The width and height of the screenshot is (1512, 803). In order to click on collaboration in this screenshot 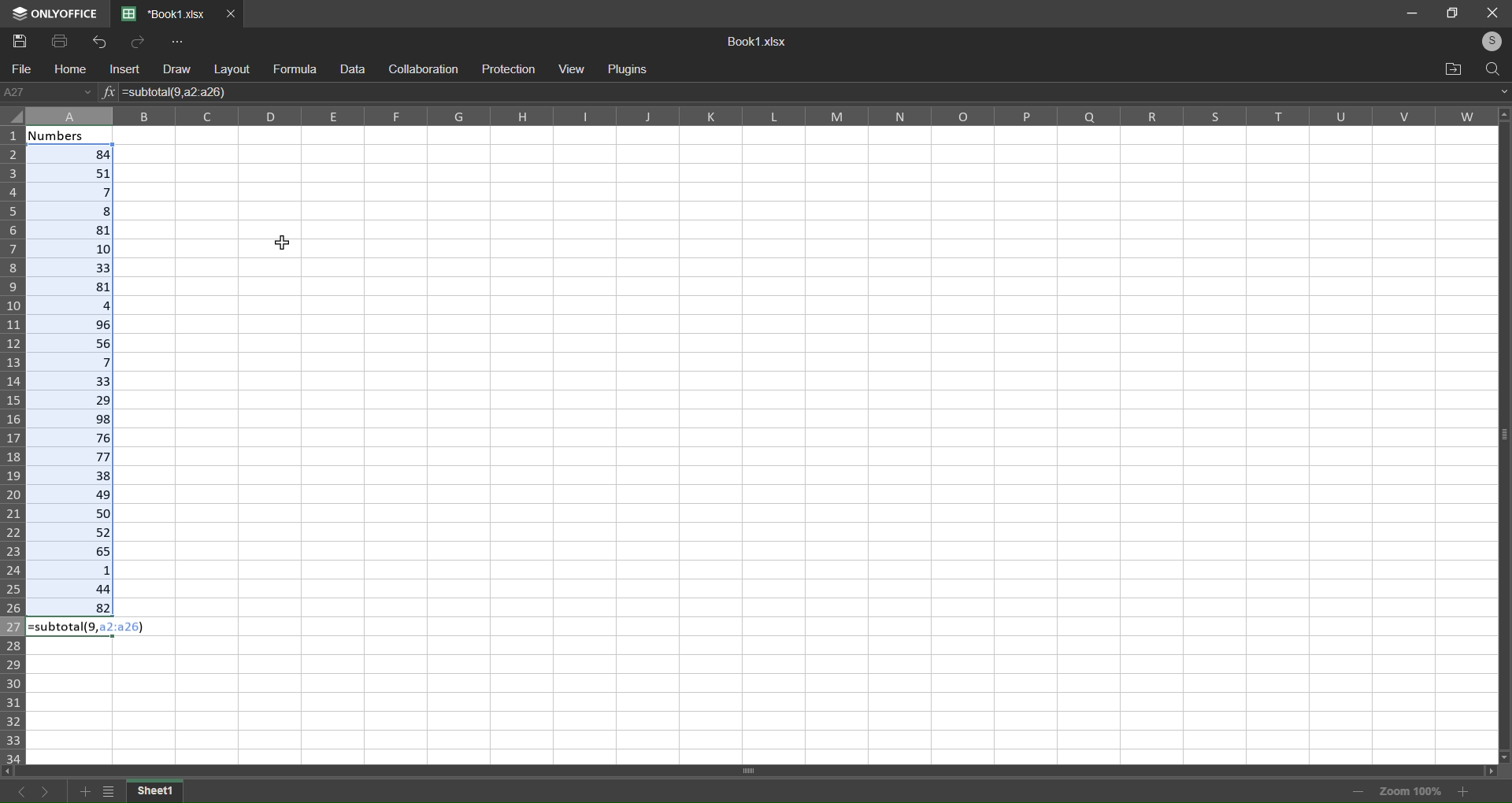, I will do `click(425, 69)`.